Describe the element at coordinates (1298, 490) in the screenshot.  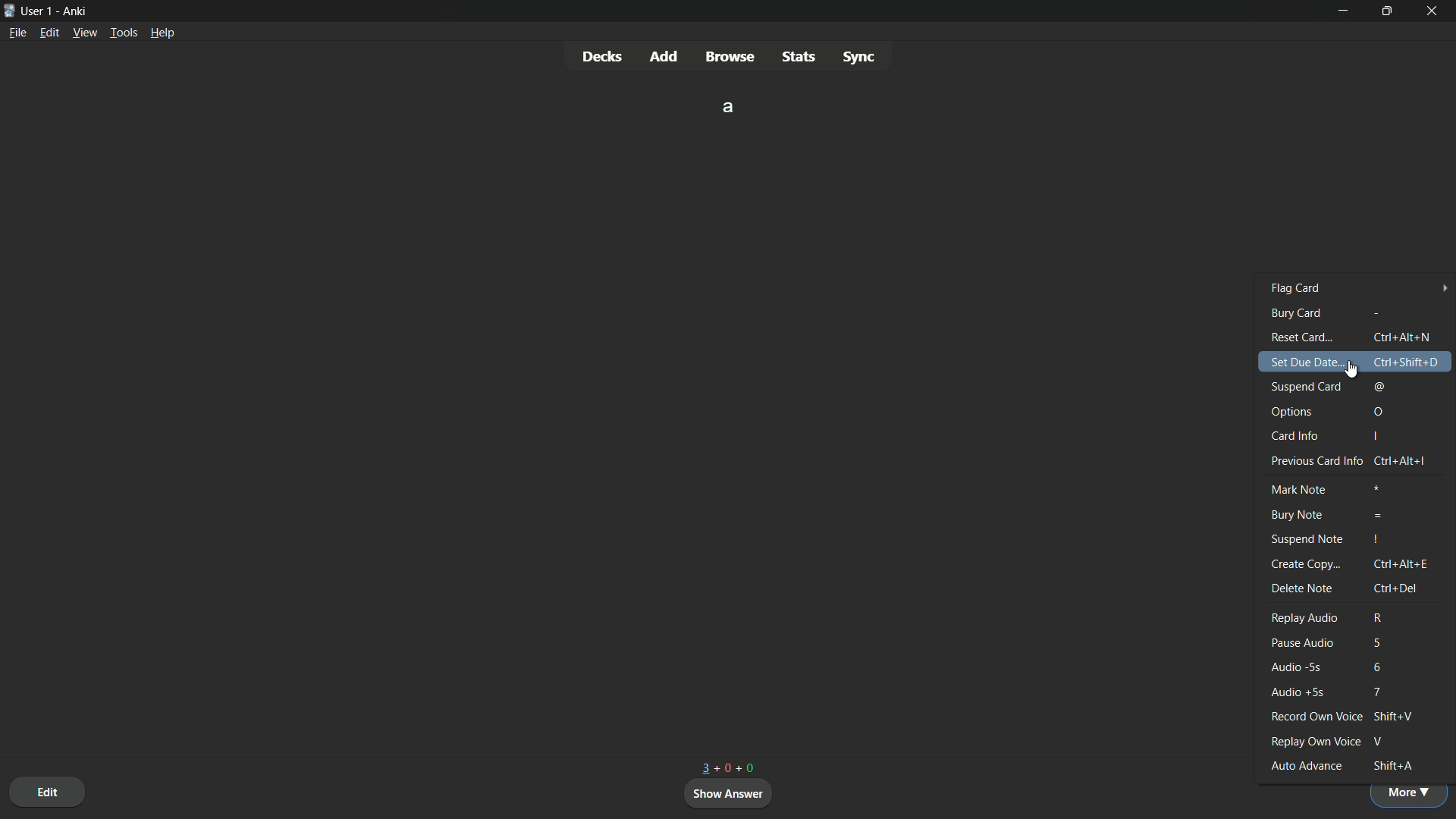
I see `mark note` at that location.